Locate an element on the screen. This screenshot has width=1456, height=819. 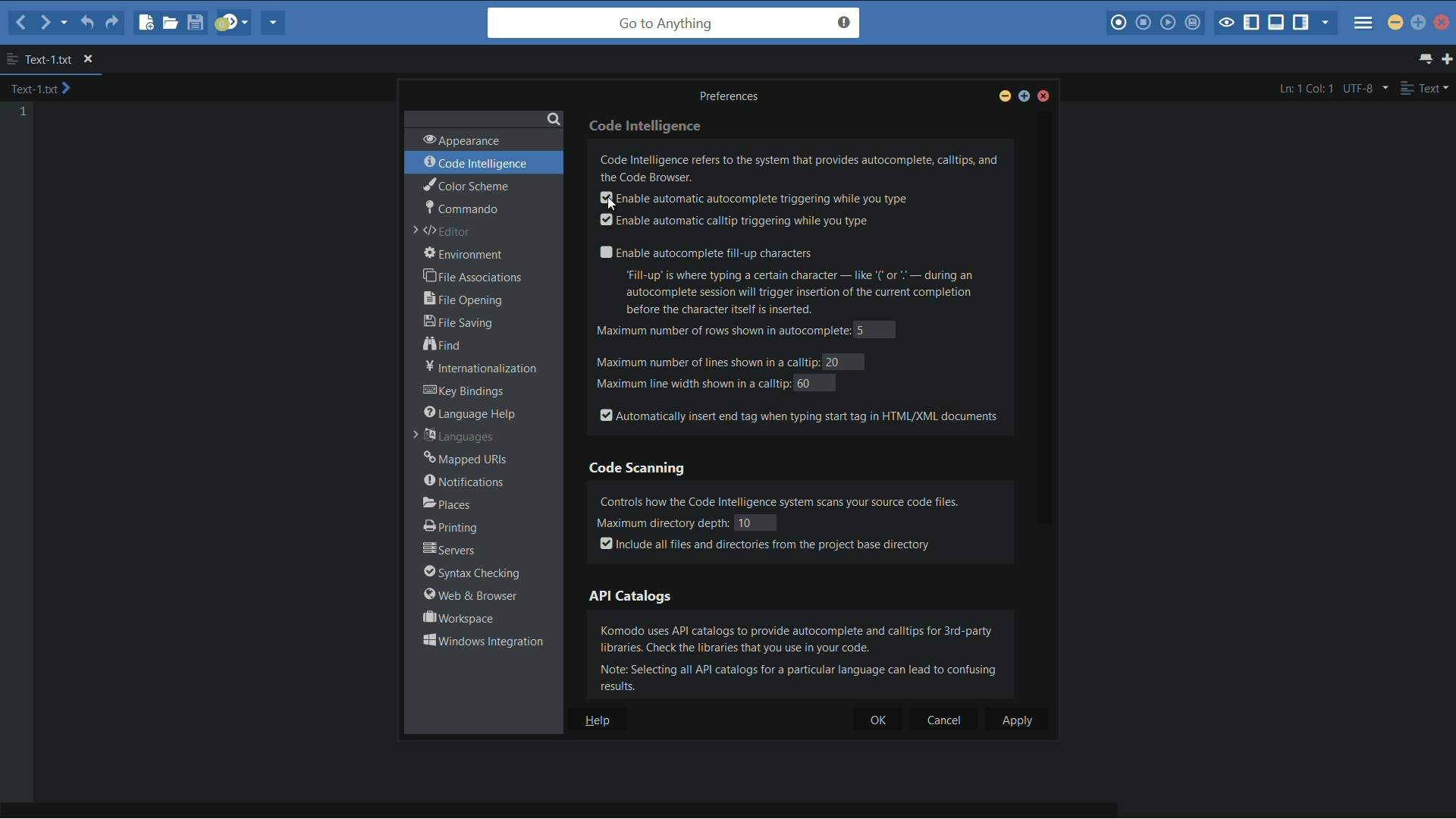
Controls how the Code Intelligence system scans your source code files. is located at coordinates (799, 498).